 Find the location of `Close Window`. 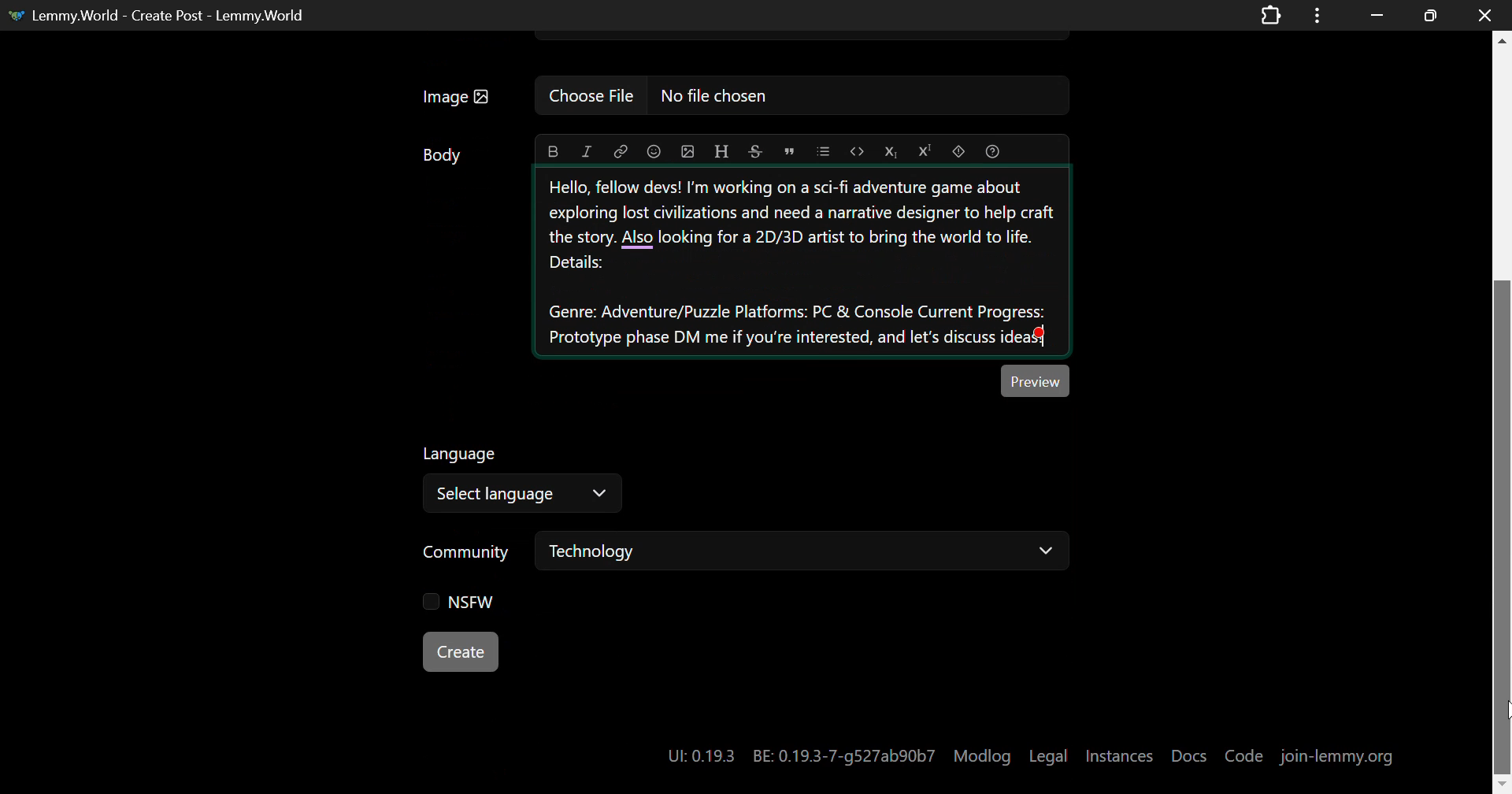

Close Window is located at coordinates (1480, 16).